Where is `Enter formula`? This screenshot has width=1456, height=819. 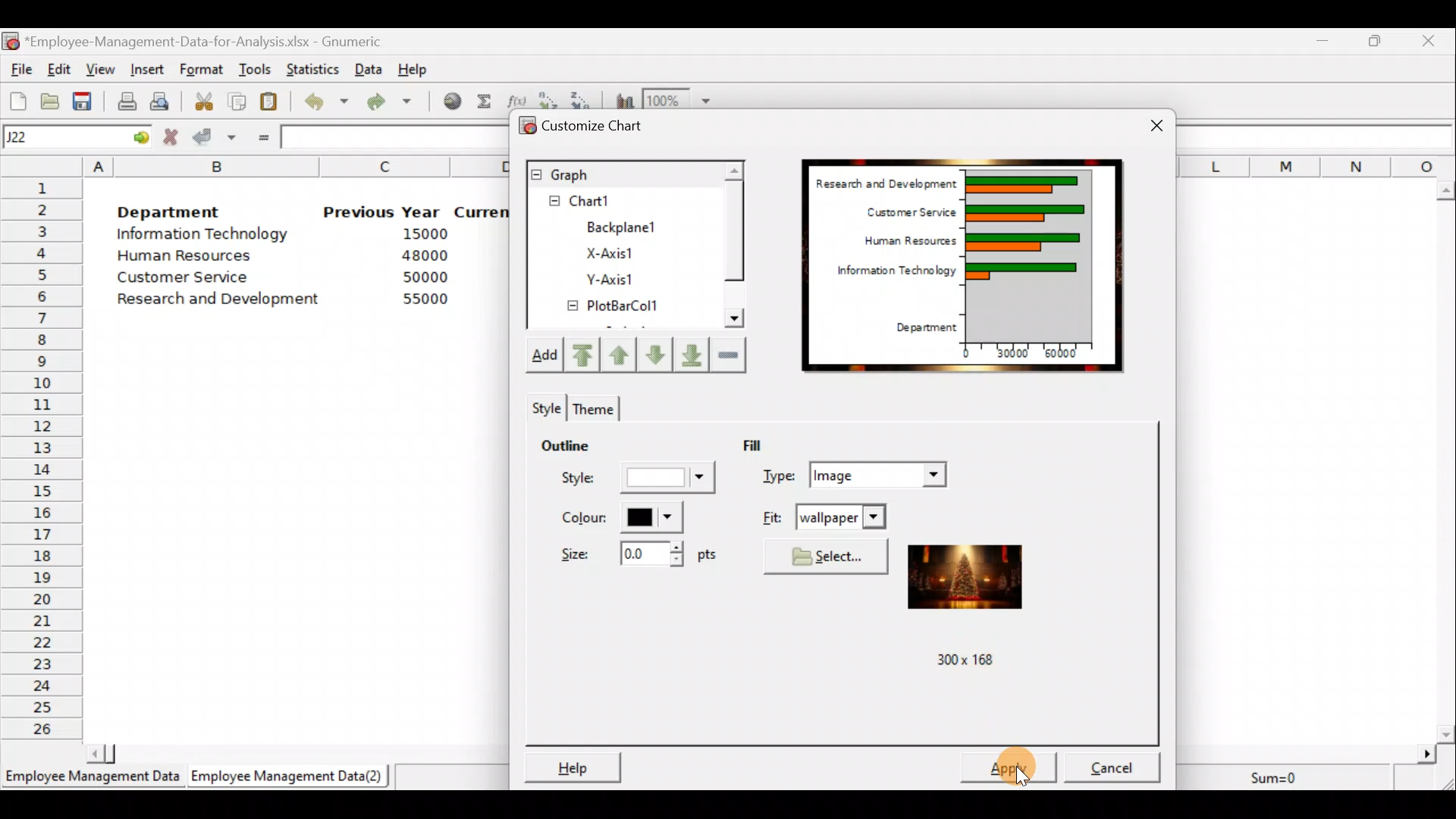 Enter formula is located at coordinates (261, 138).